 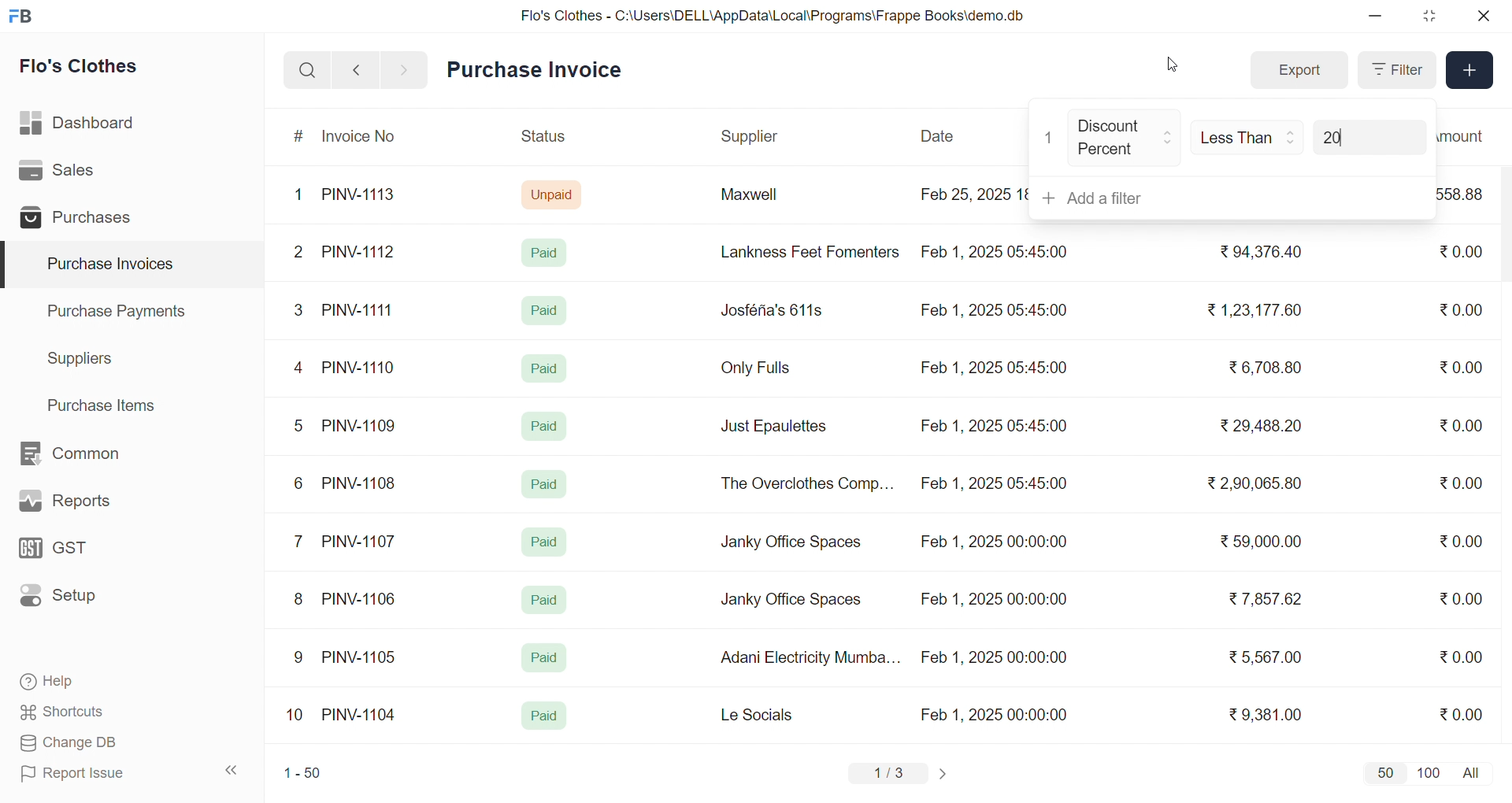 I want to click on Setup, so click(x=82, y=601).